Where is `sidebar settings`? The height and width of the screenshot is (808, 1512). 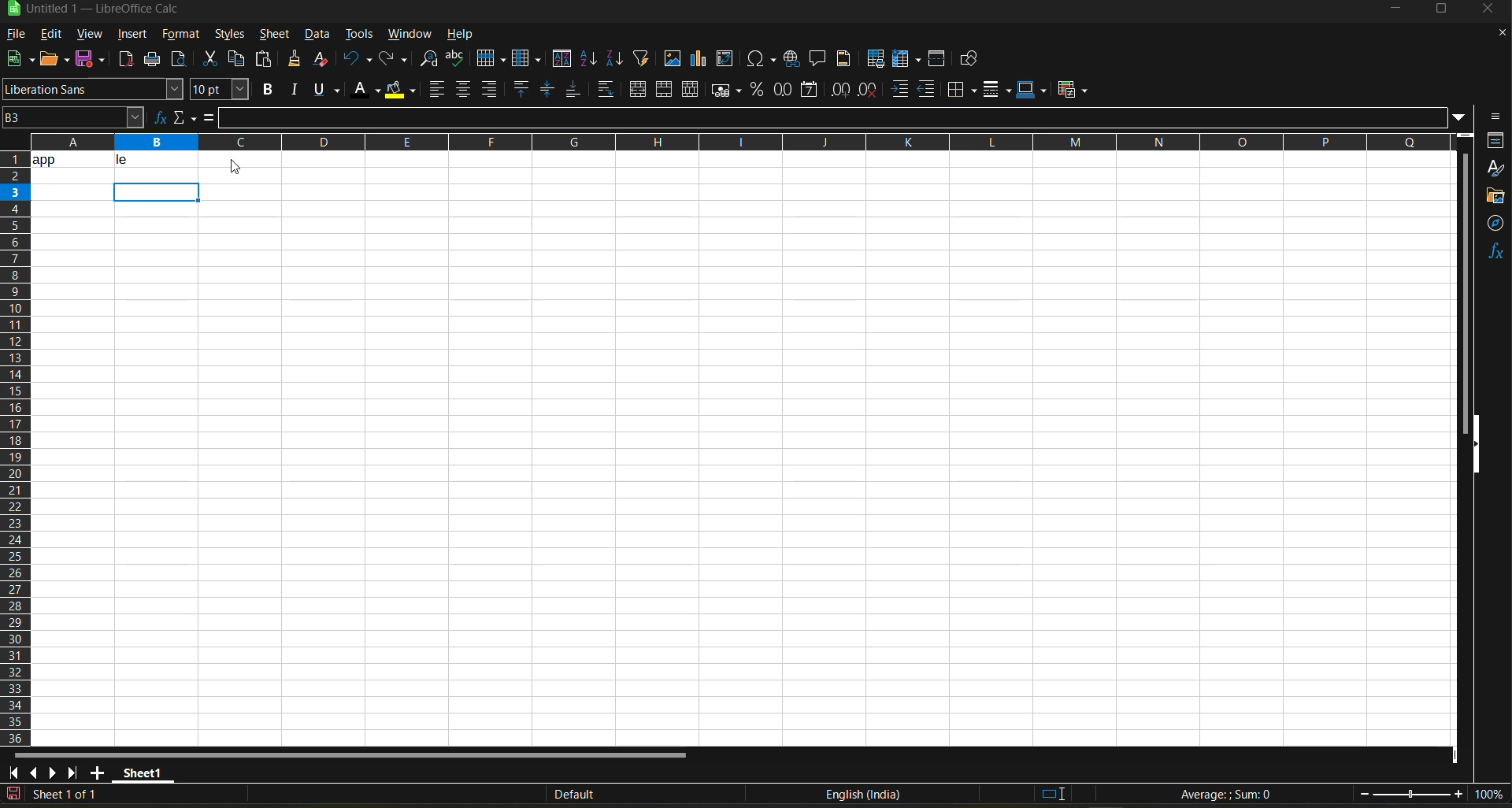 sidebar settings is located at coordinates (1493, 117).